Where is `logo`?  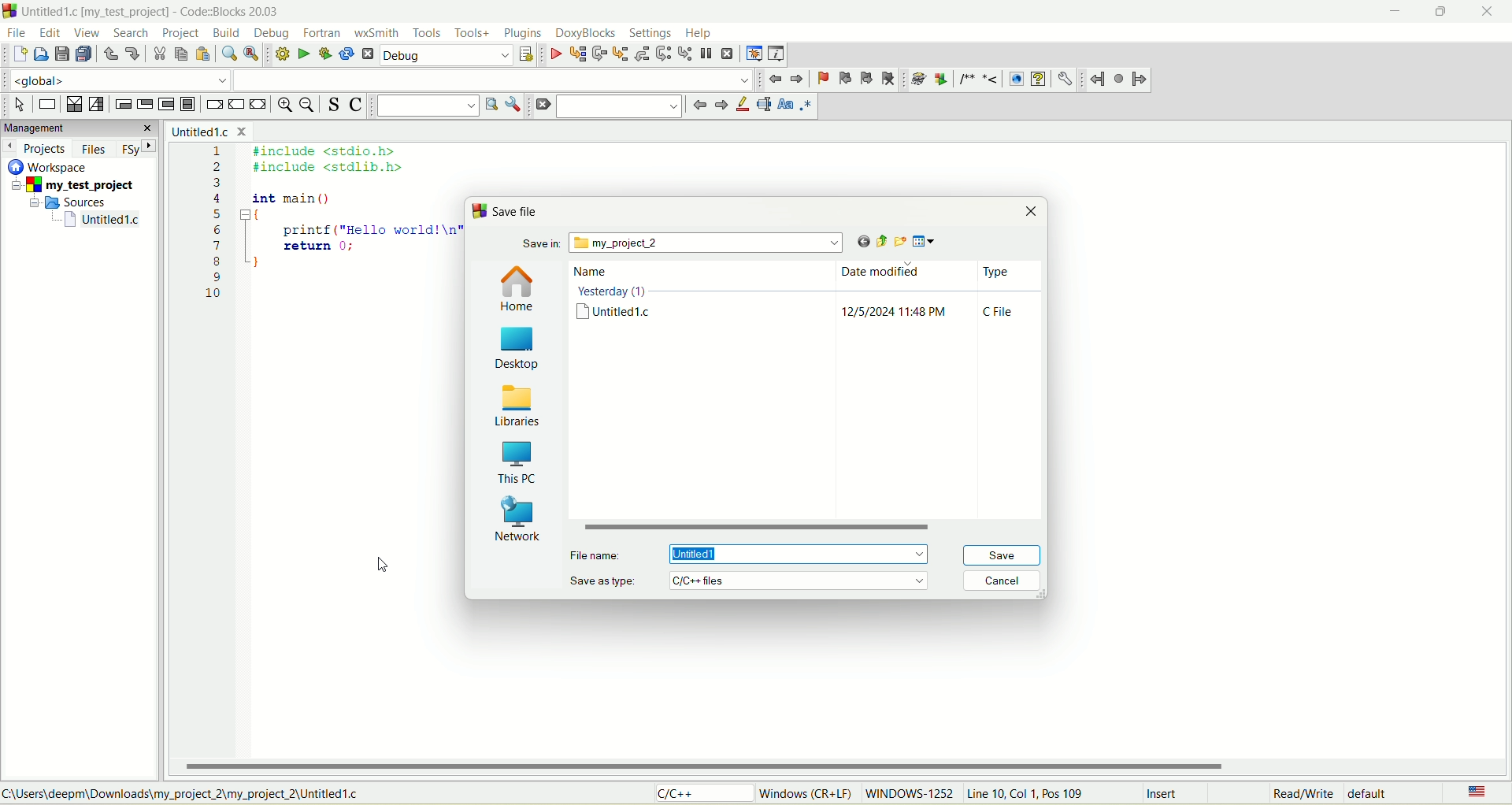 logo is located at coordinates (478, 211).